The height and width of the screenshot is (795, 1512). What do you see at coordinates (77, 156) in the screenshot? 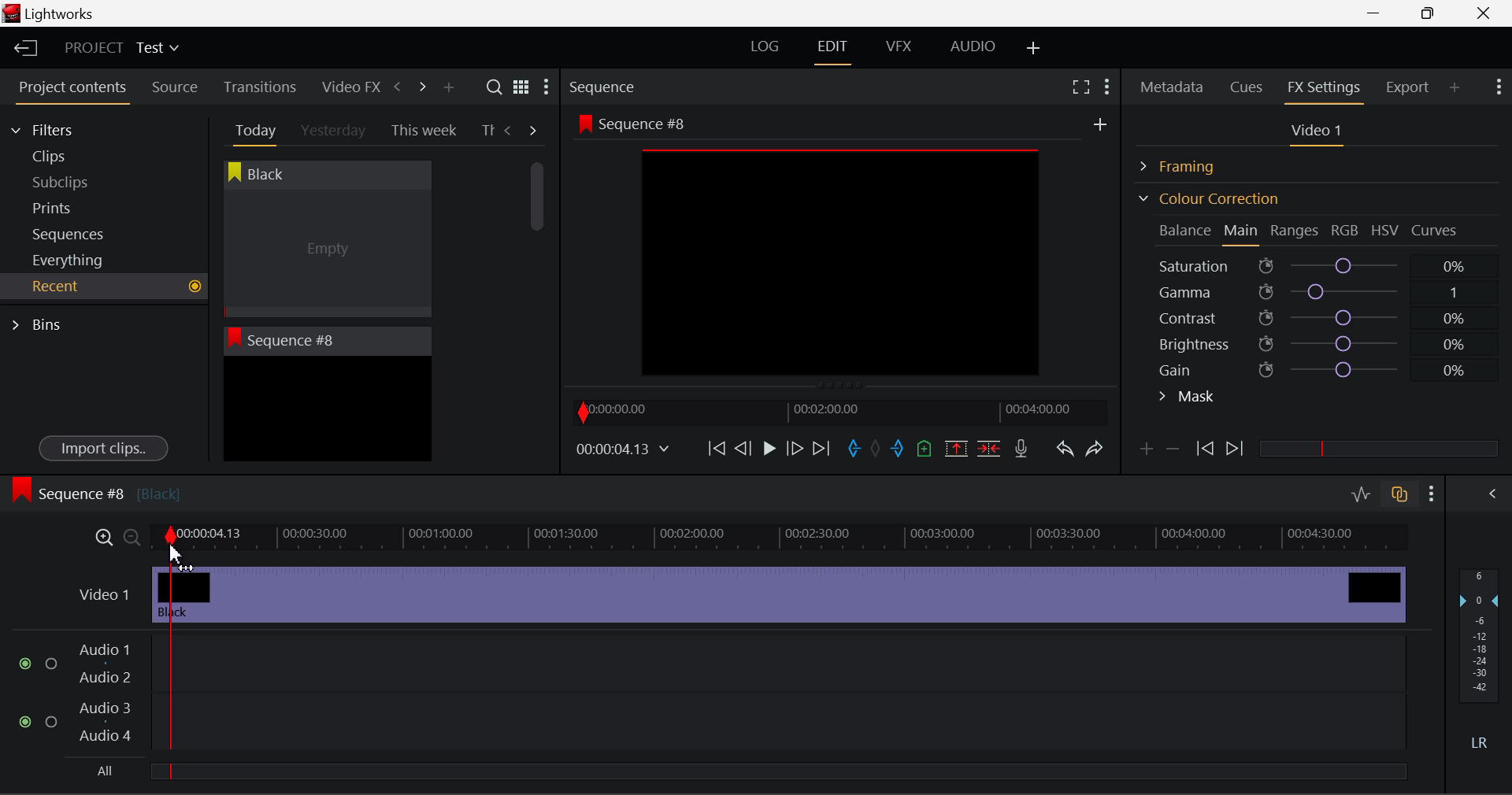
I see `Clips` at bounding box center [77, 156].